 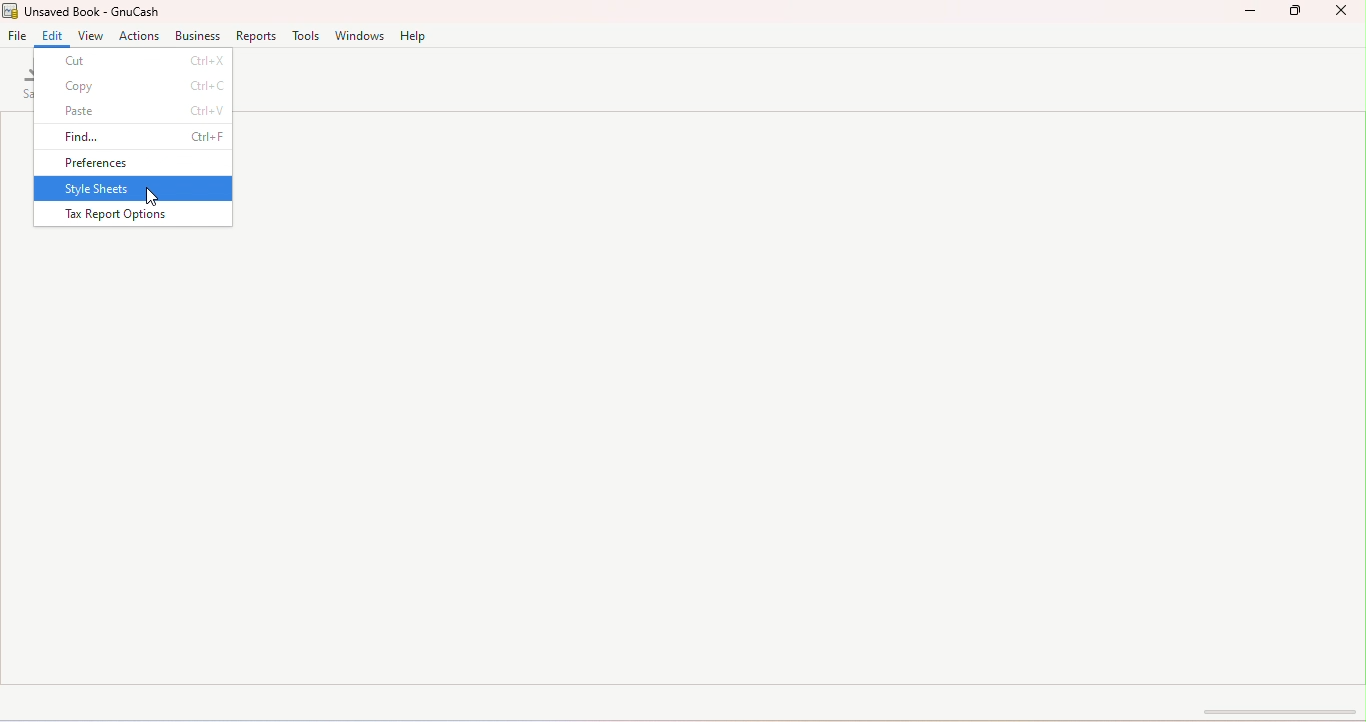 What do you see at coordinates (416, 36) in the screenshot?
I see `Help` at bounding box center [416, 36].